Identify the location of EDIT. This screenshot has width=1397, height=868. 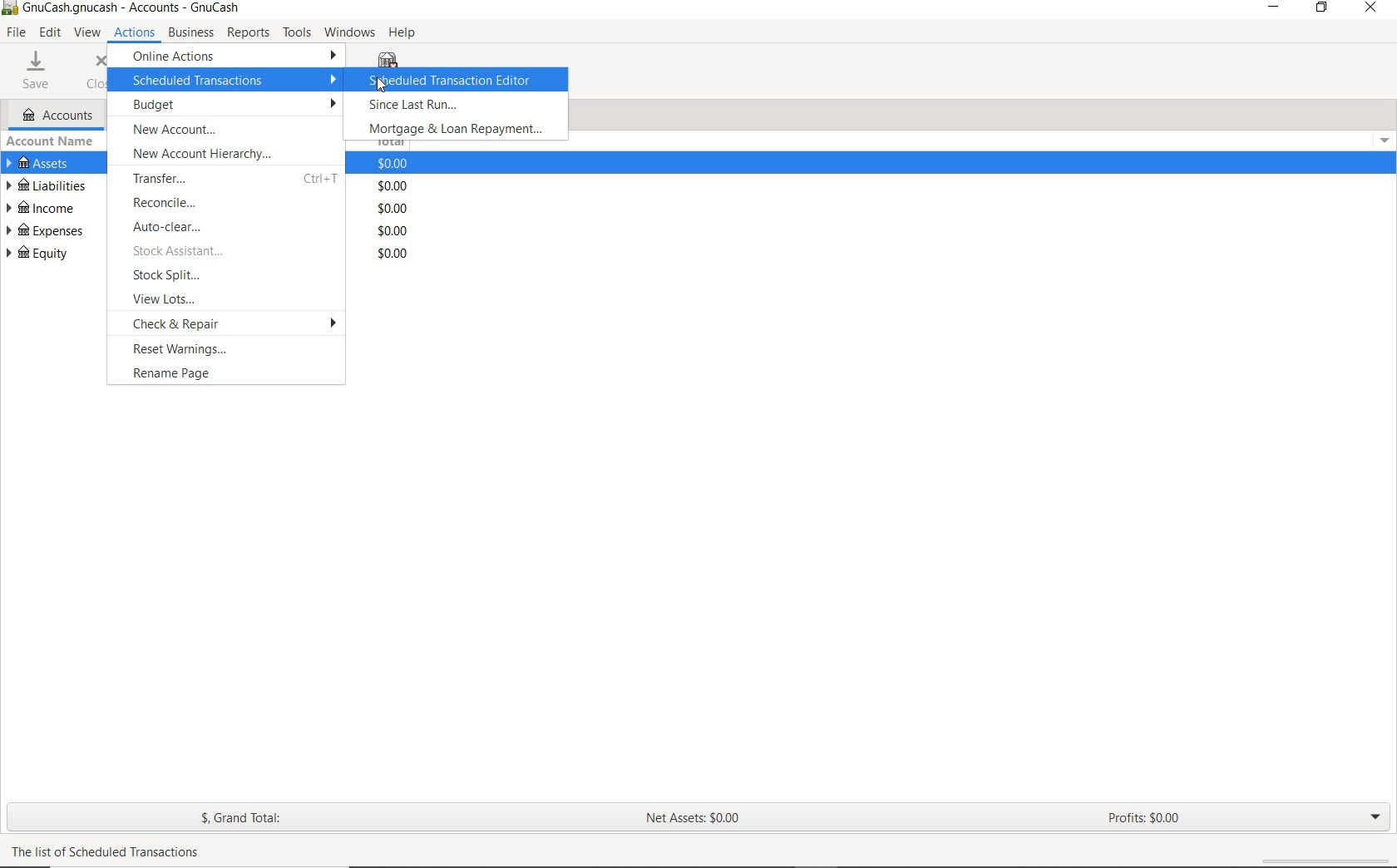
(51, 33).